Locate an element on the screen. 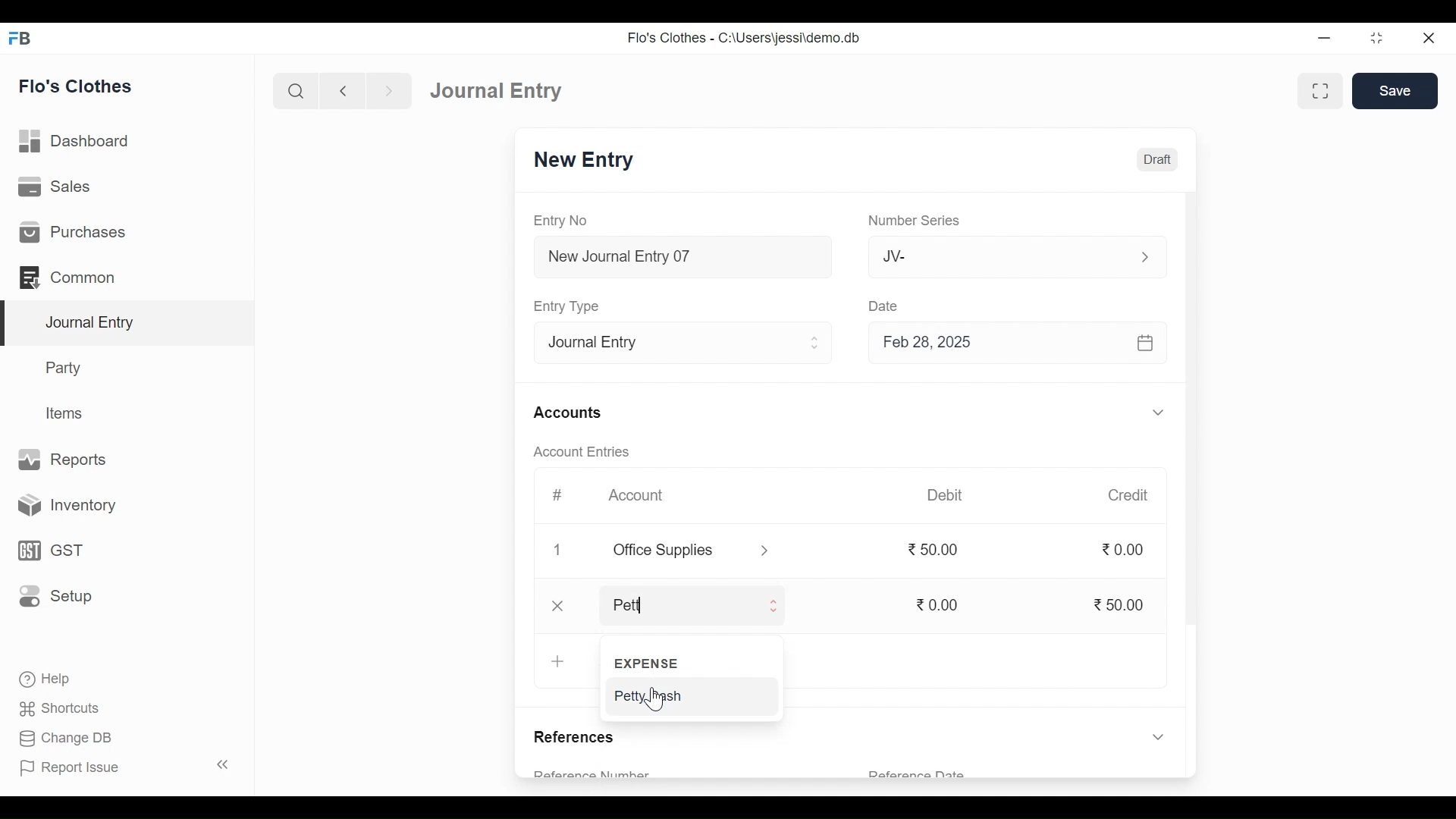  References is located at coordinates (580, 739).